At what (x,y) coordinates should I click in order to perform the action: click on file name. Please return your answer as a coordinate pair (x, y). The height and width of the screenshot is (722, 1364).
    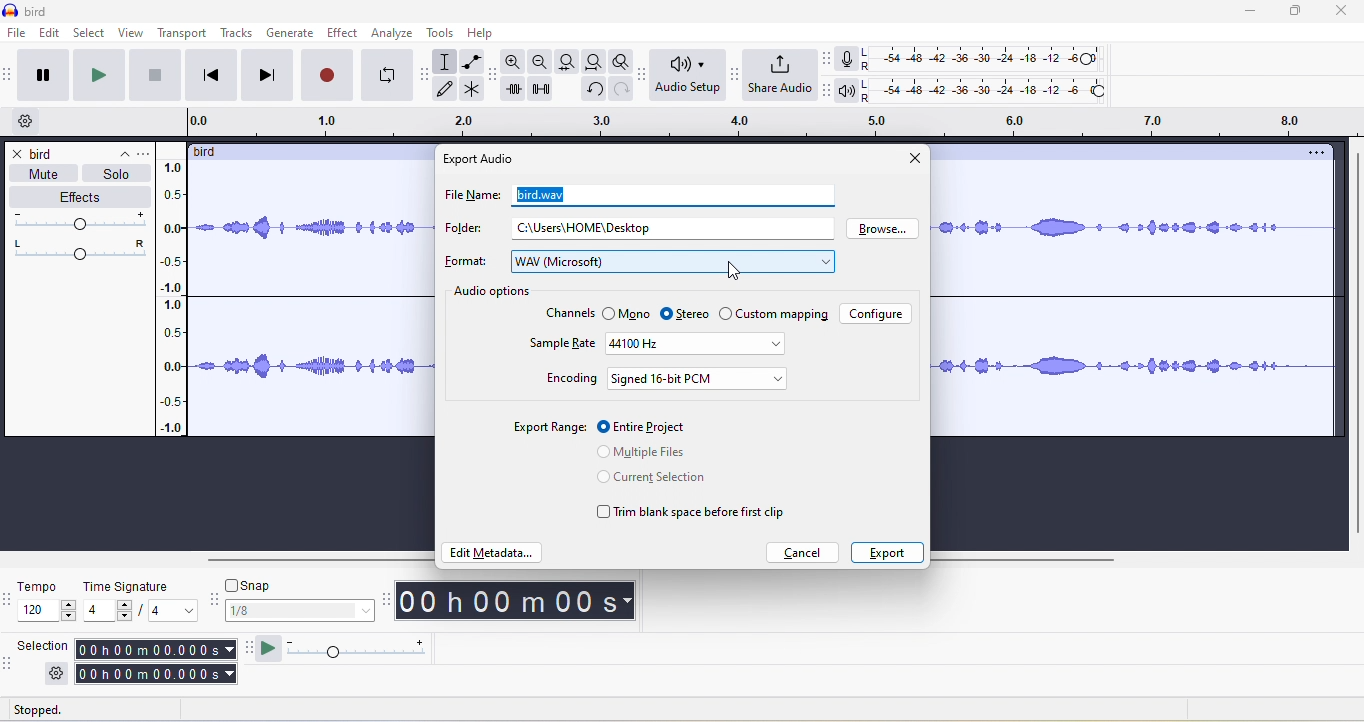
    Looking at the image, I should click on (469, 199).